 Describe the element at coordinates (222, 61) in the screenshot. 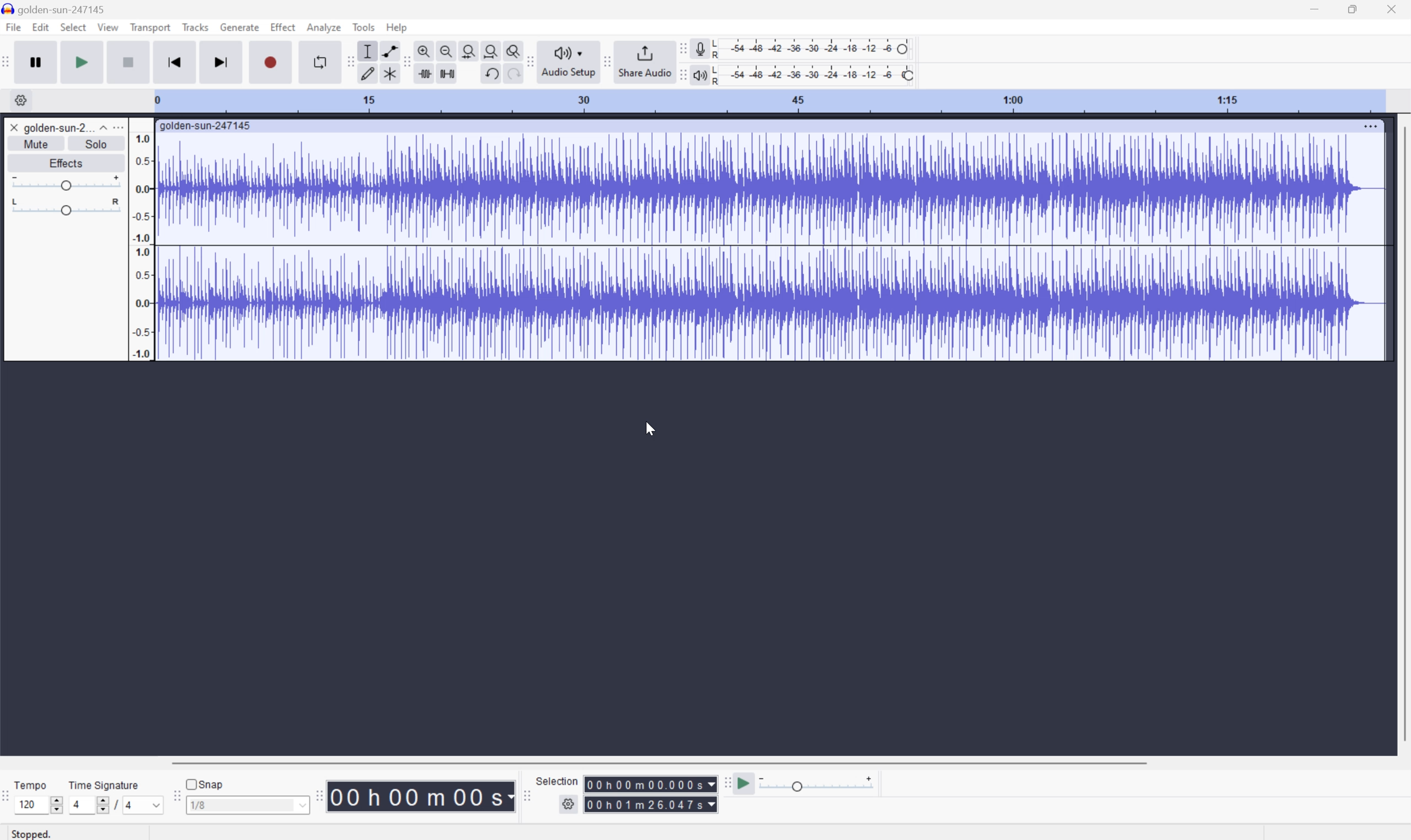

I see `Skip to end` at that location.